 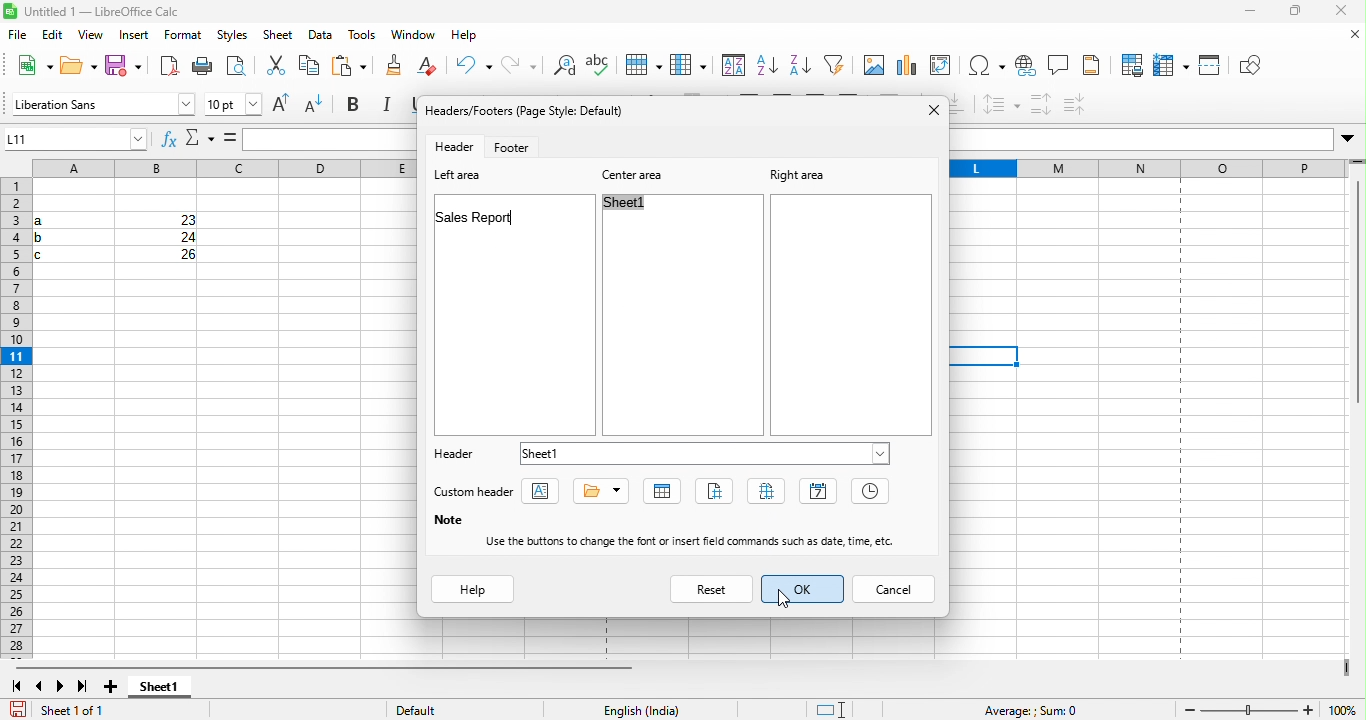 What do you see at coordinates (37, 683) in the screenshot?
I see `previous sheet` at bounding box center [37, 683].